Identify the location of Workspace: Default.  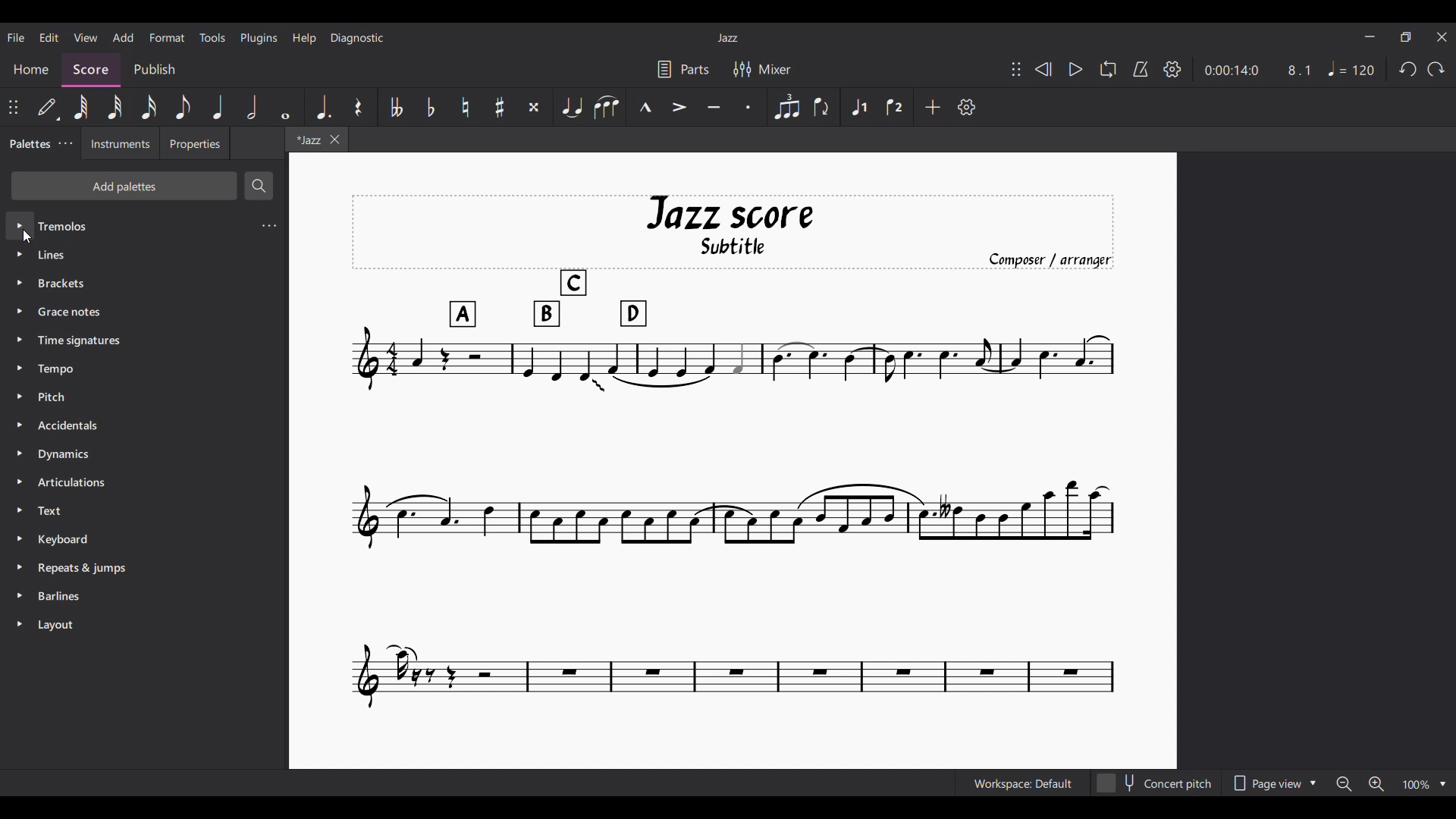
(1023, 783).